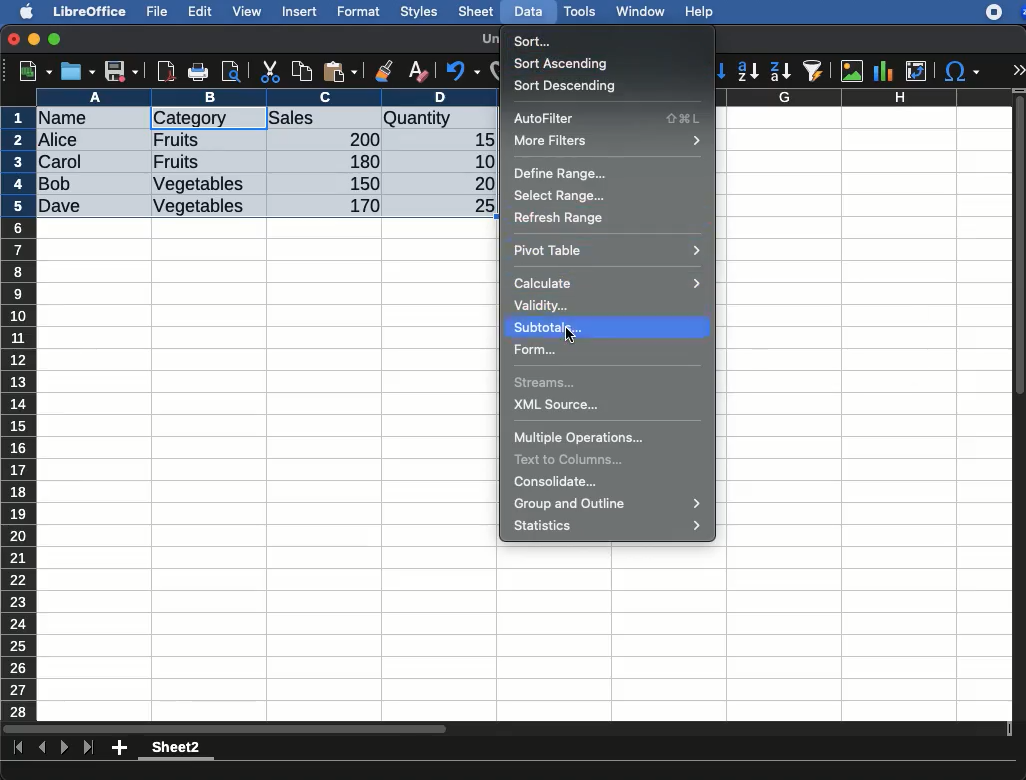  I want to click on edit, so click(200, 11).